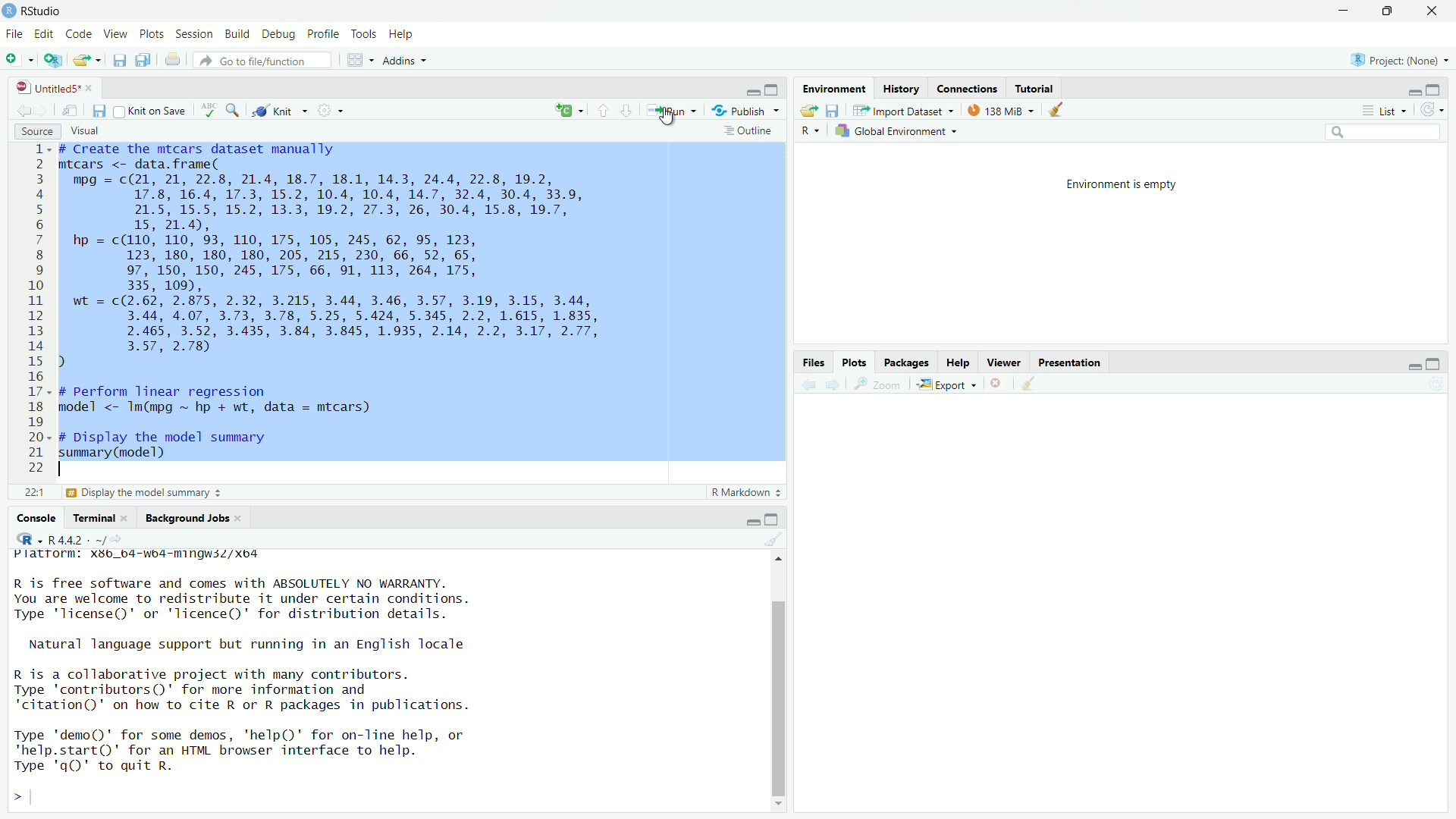 This screenshot has height=819, width=1456. Describe the element at coordinates (36, 133) in the screenshot. I see `source` at that location.